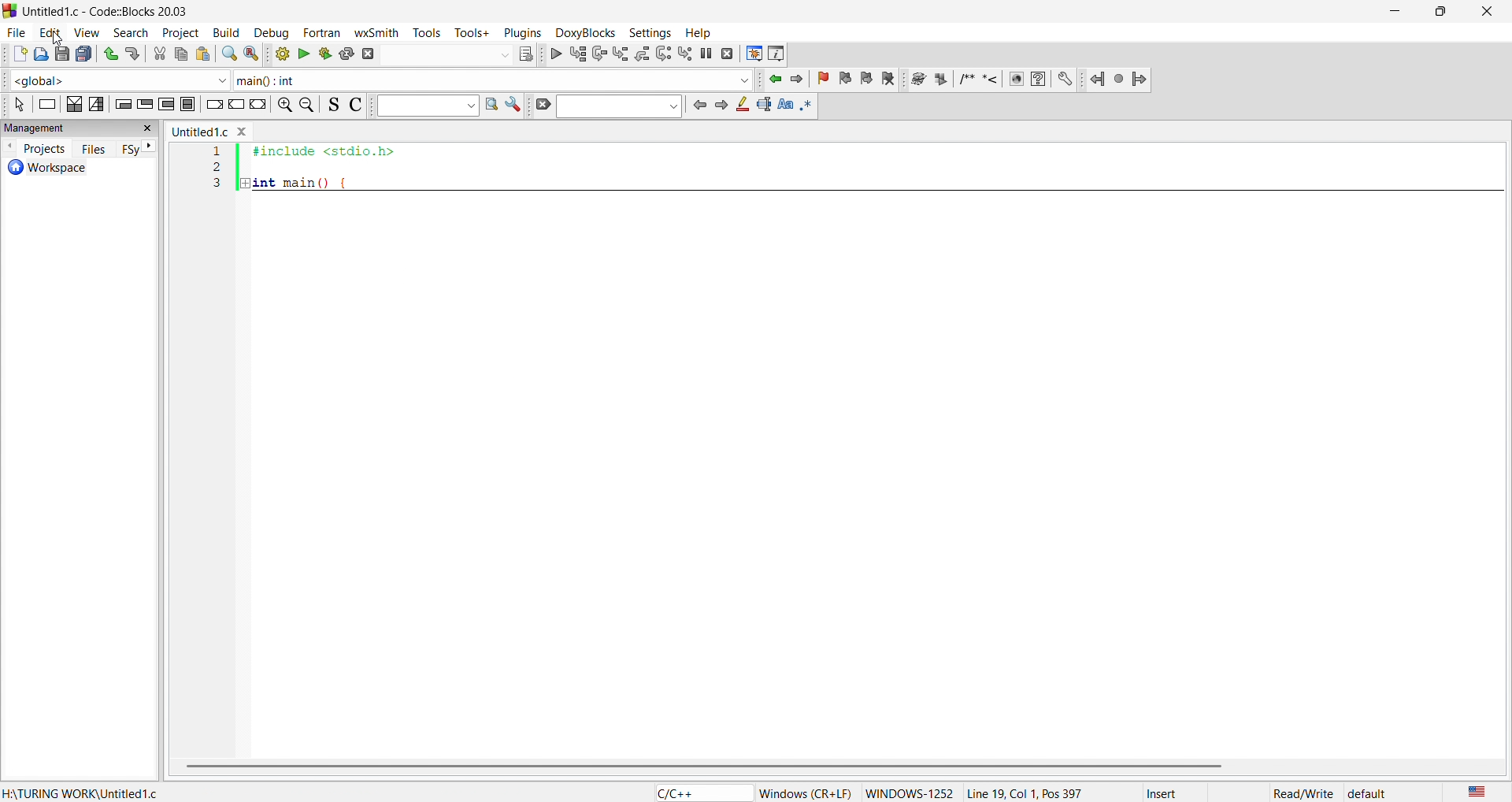 This screenshot has width=1512, height=802. What do you see at coordinates (94, 148) in the screenshot?
I see `files tab` at bounding box center [94, 148].